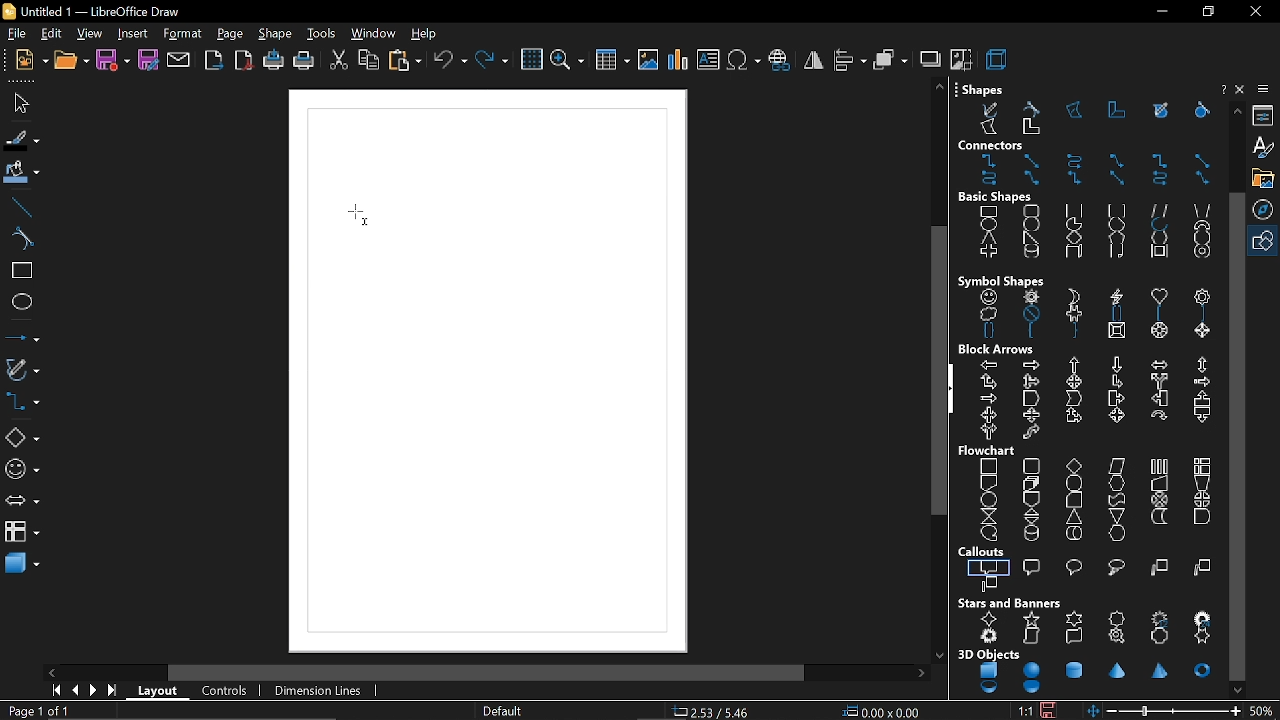 The height and width of the screenshot is (720, 1280). I want to click on flowchart, so click(22, 532).